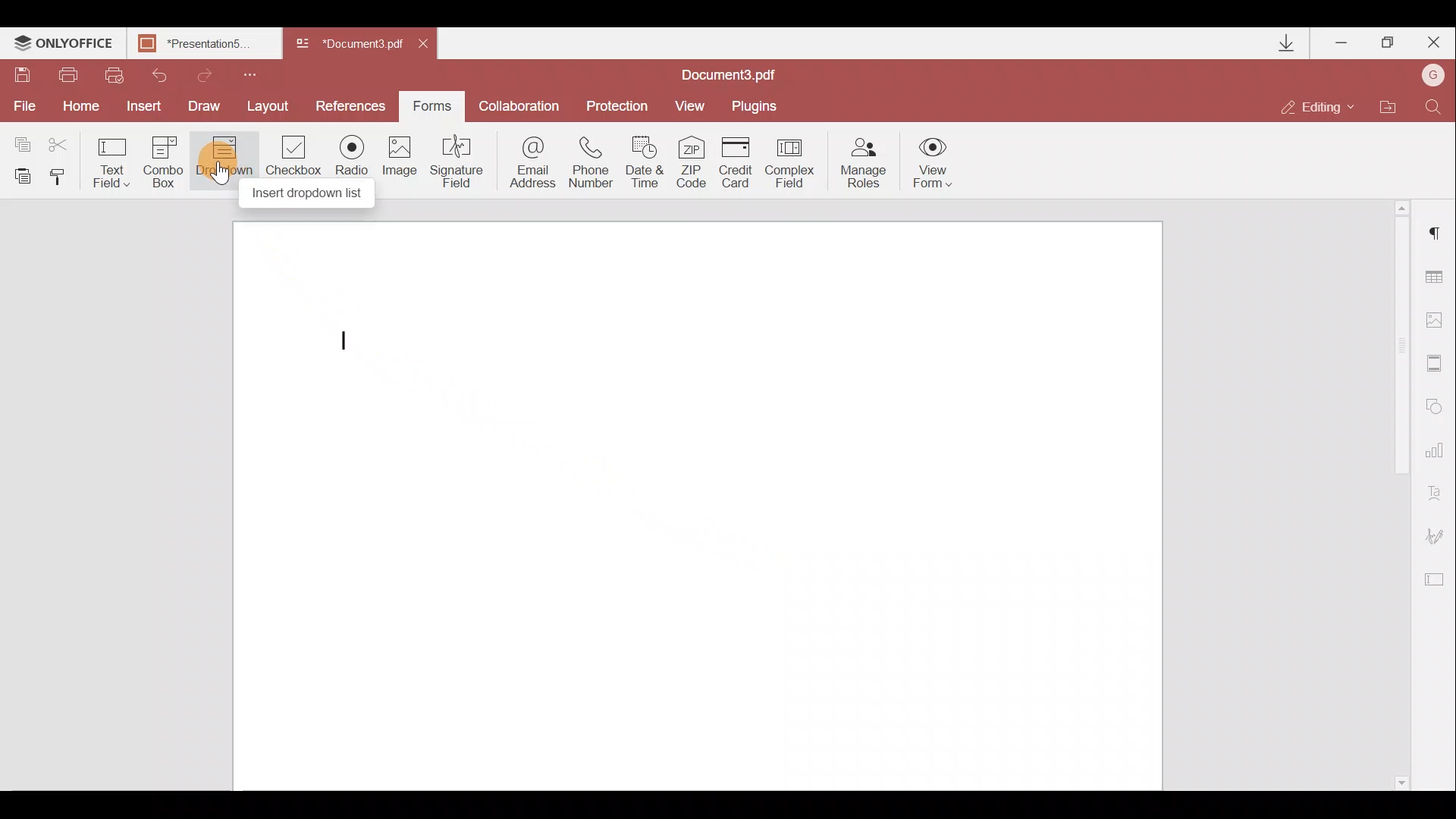  Describe the element at coordinates (1436, 106) in the screenshot. I see `Find` at that location.